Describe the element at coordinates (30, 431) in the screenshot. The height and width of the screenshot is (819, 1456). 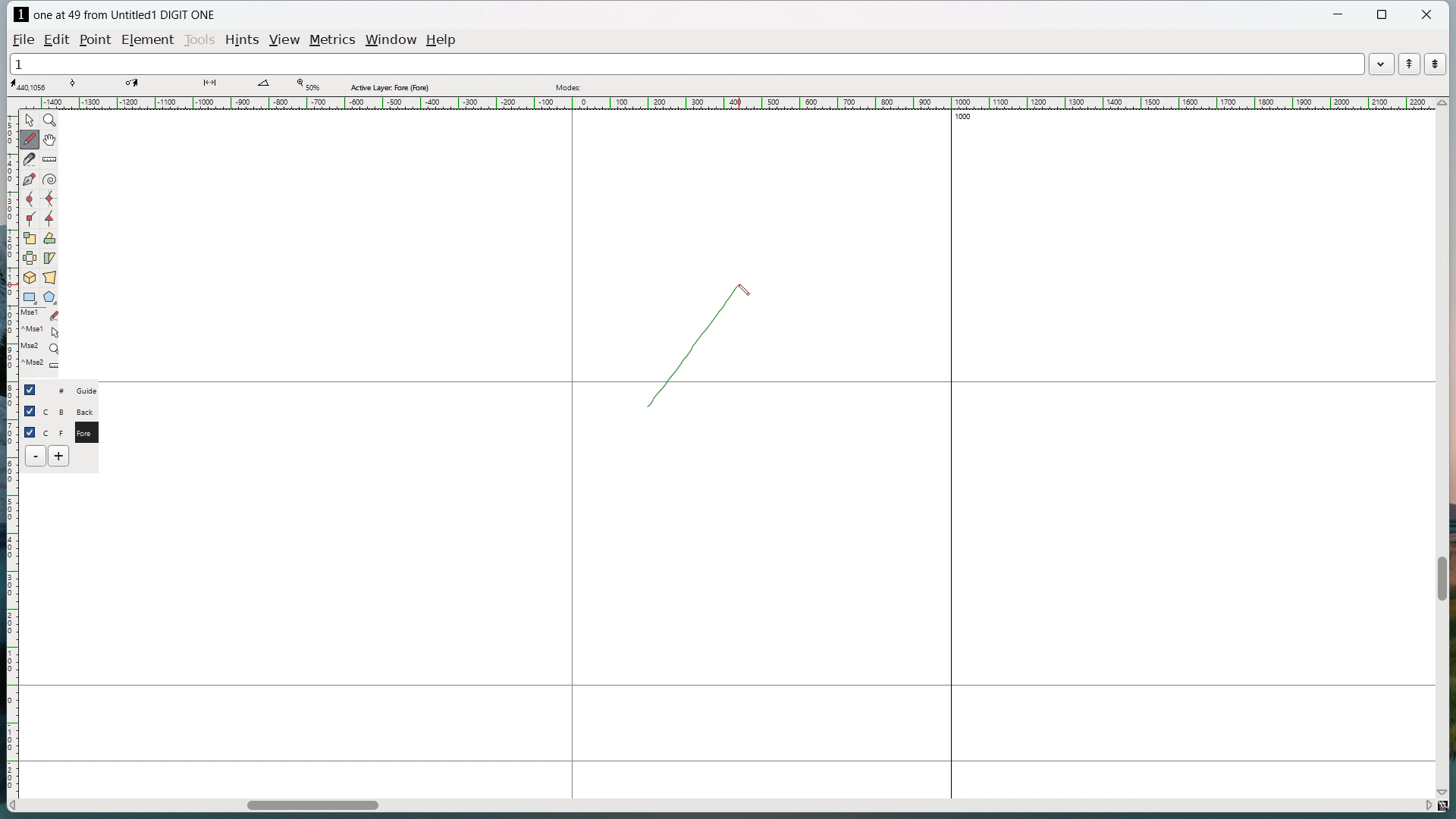
I see `checkbox` at that location.